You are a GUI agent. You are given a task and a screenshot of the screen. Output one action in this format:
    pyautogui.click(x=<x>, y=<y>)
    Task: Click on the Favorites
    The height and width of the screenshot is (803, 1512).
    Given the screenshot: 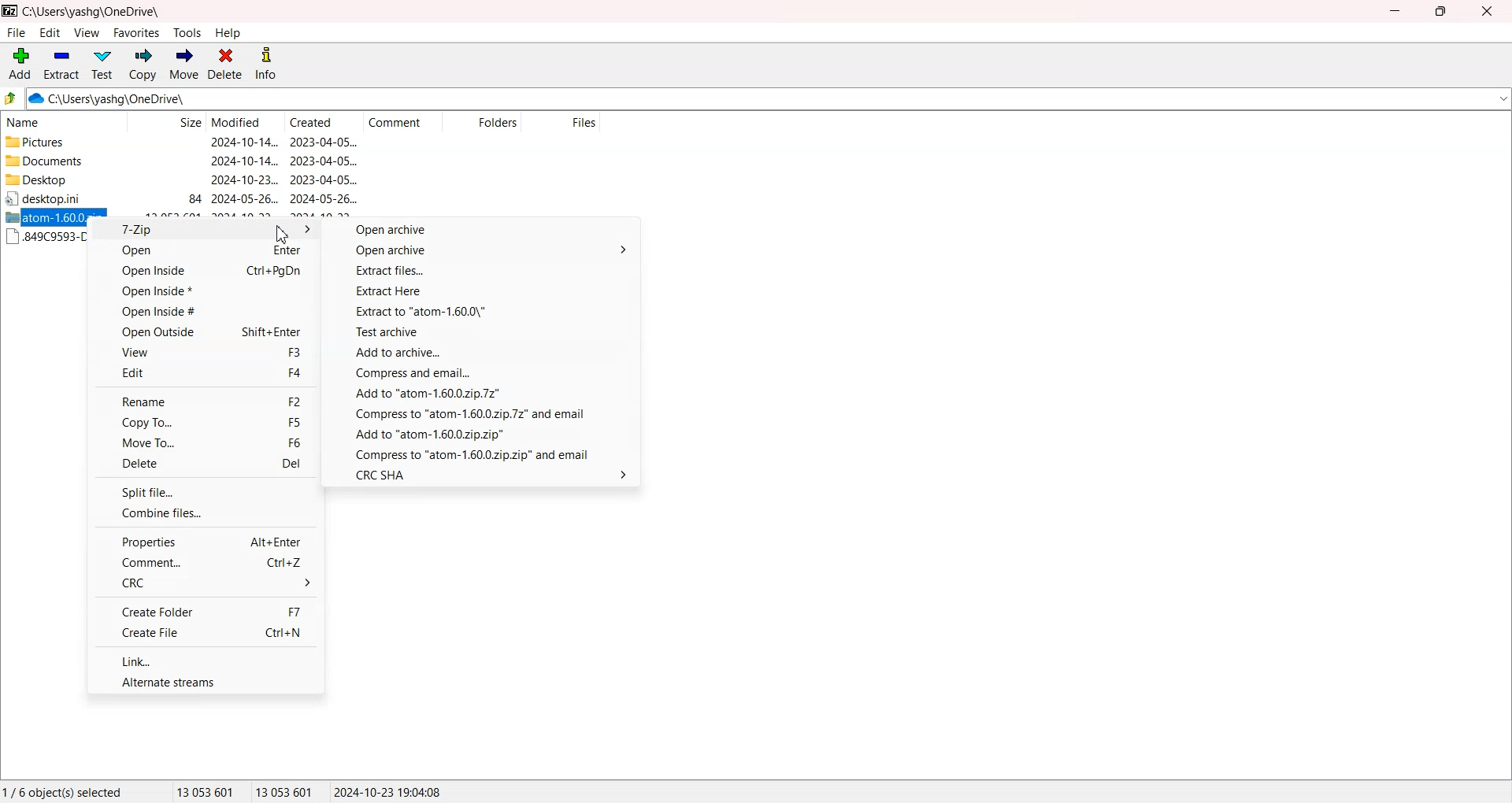 What is the action you would take?
    pyautogui.click(x=137, y=32)
    